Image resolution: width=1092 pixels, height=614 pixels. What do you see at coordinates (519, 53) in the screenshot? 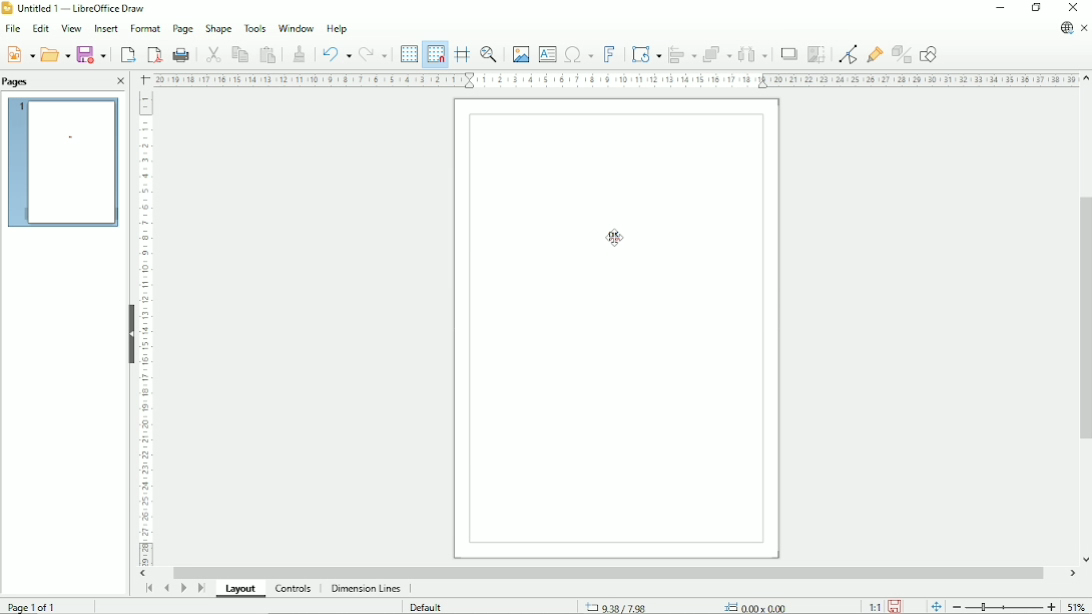
I see `Insert image` at bounding box center [519, 53].